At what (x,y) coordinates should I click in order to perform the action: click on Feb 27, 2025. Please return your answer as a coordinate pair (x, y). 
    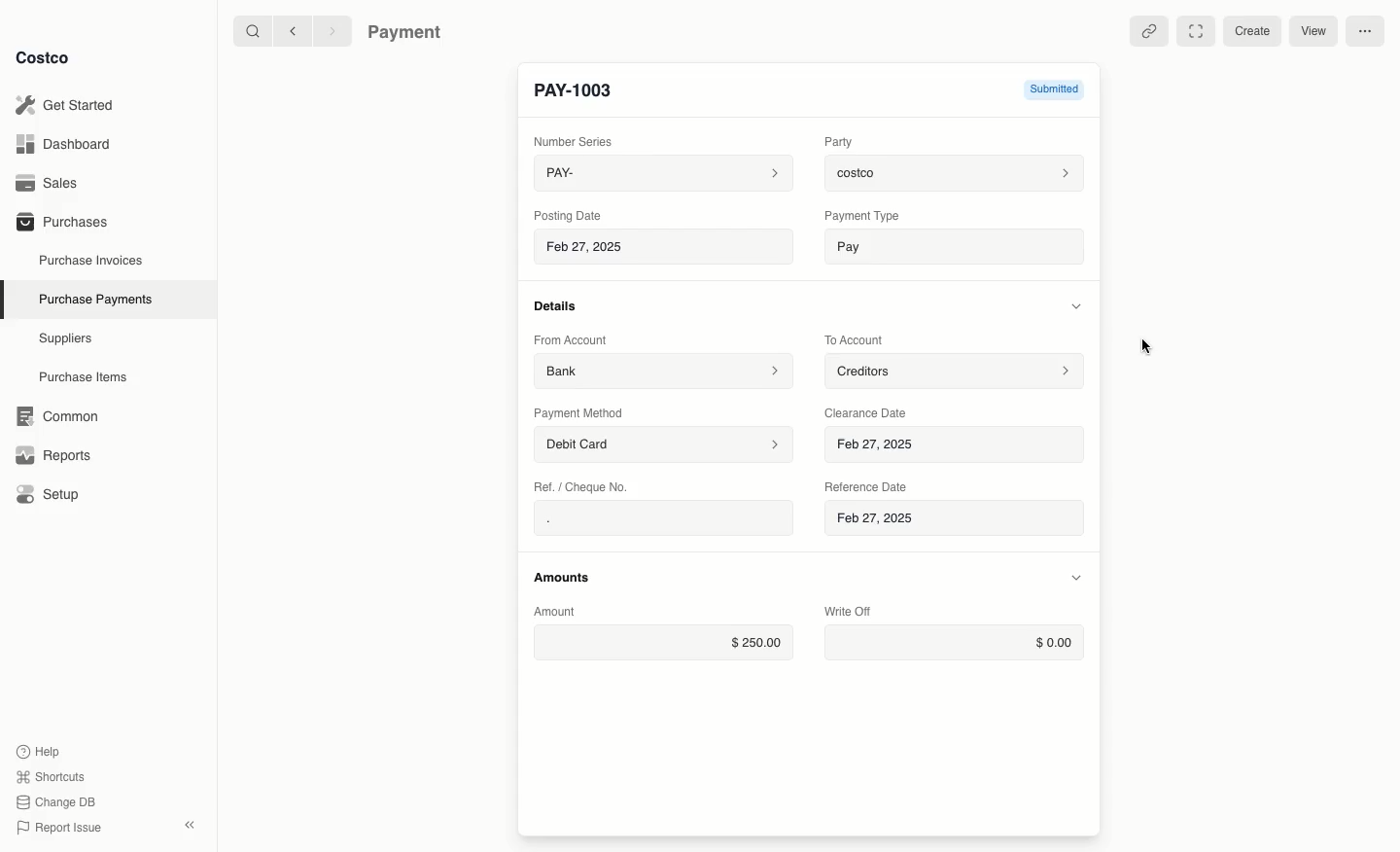
    Looking at the image, I should click on (947, 523).